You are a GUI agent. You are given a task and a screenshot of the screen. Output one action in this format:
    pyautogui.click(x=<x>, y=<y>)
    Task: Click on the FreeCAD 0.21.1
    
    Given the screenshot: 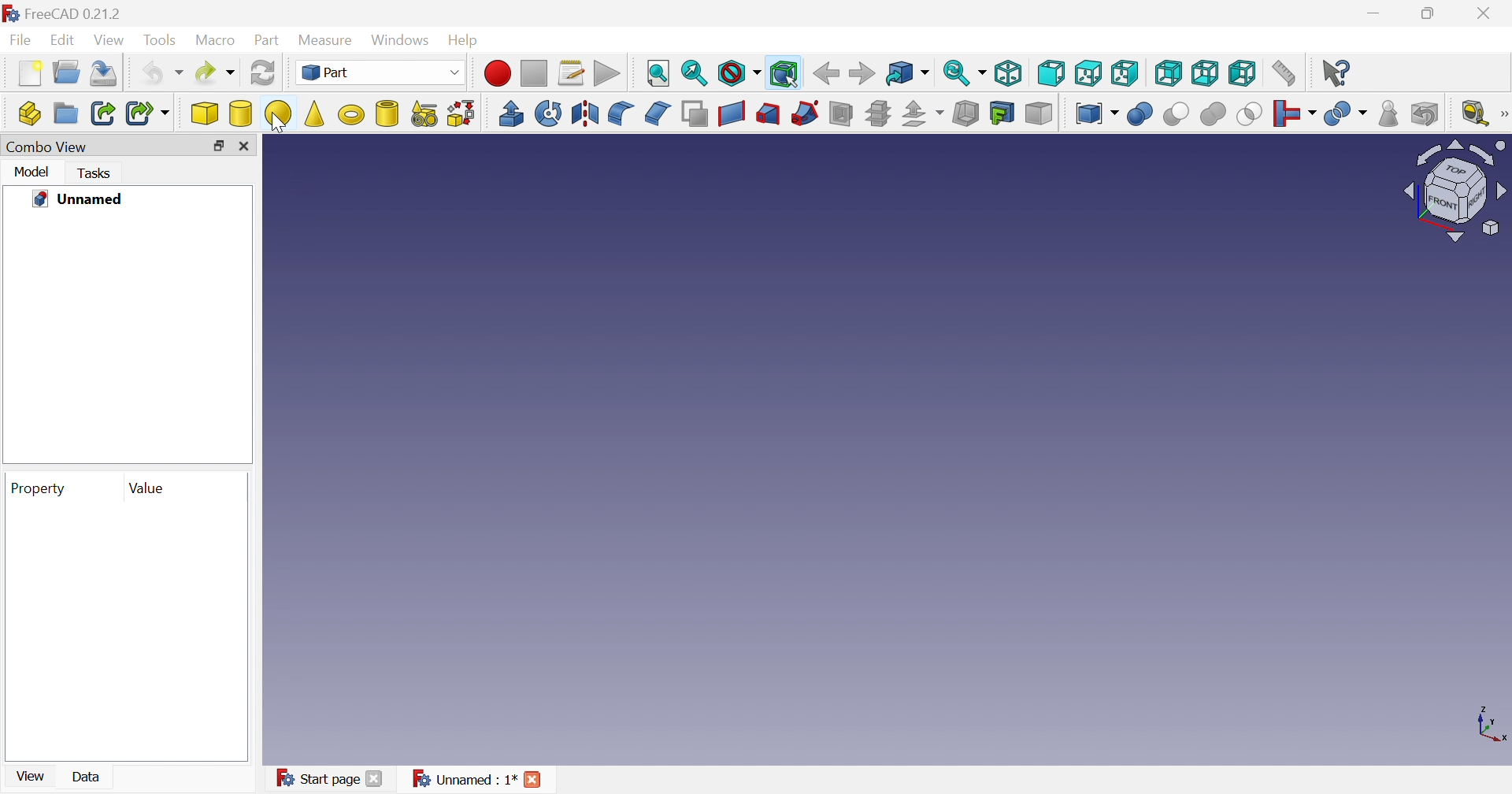 What is the action you would take?
    pyautogui.click(x=67, y=14)
    